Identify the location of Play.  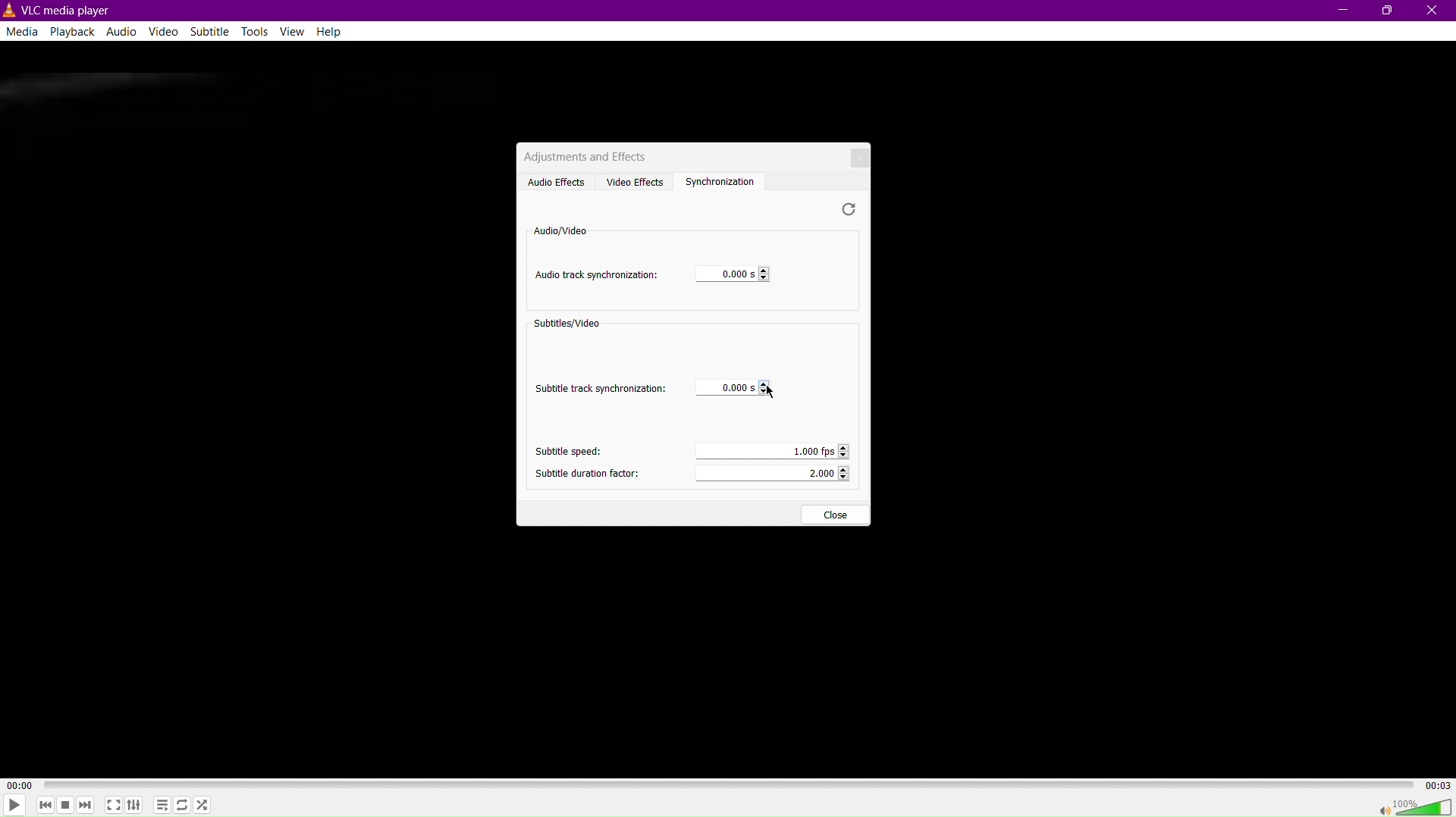
(17, 805).